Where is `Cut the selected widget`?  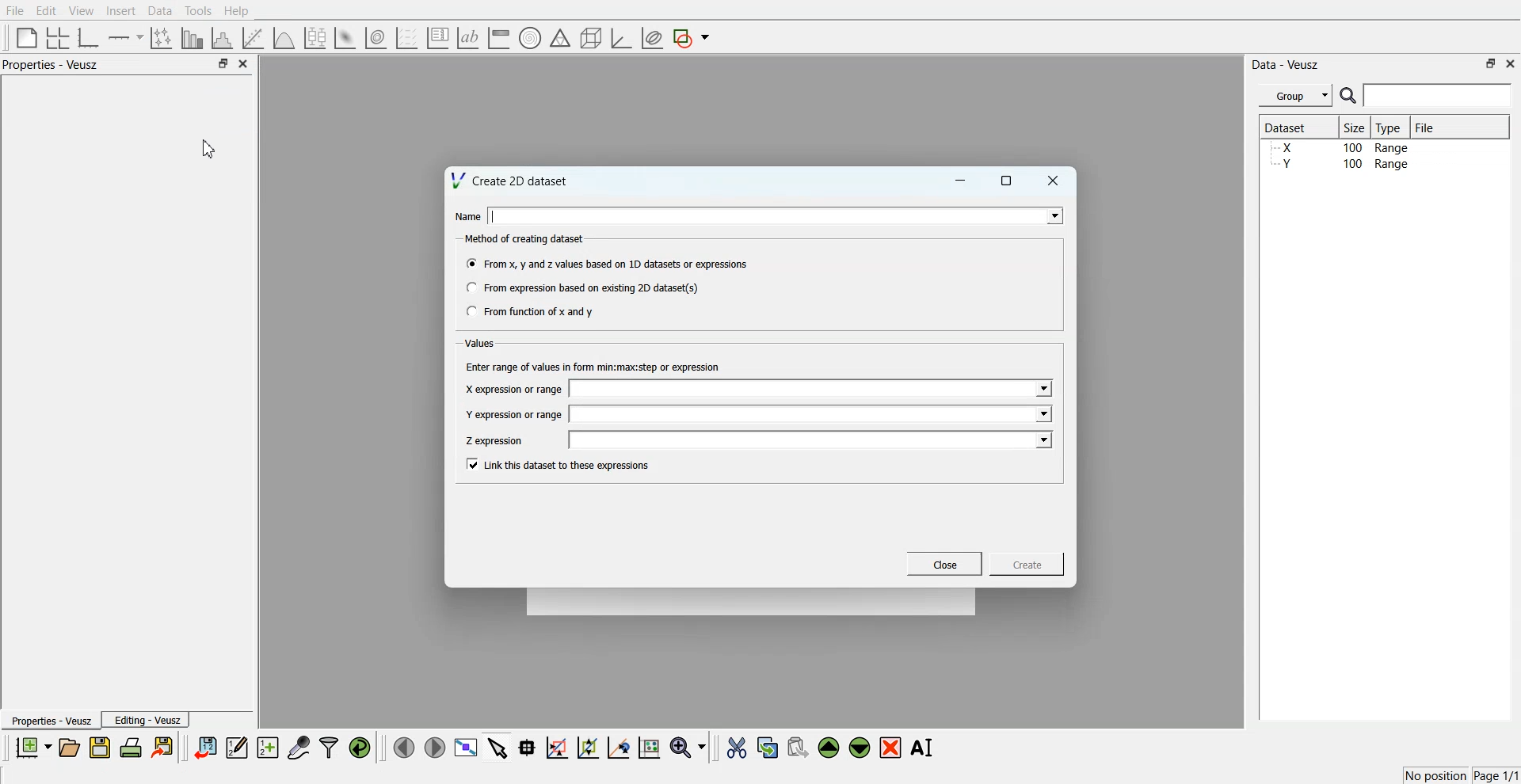
Cut the selected widget is located at coordinates (737, 748).